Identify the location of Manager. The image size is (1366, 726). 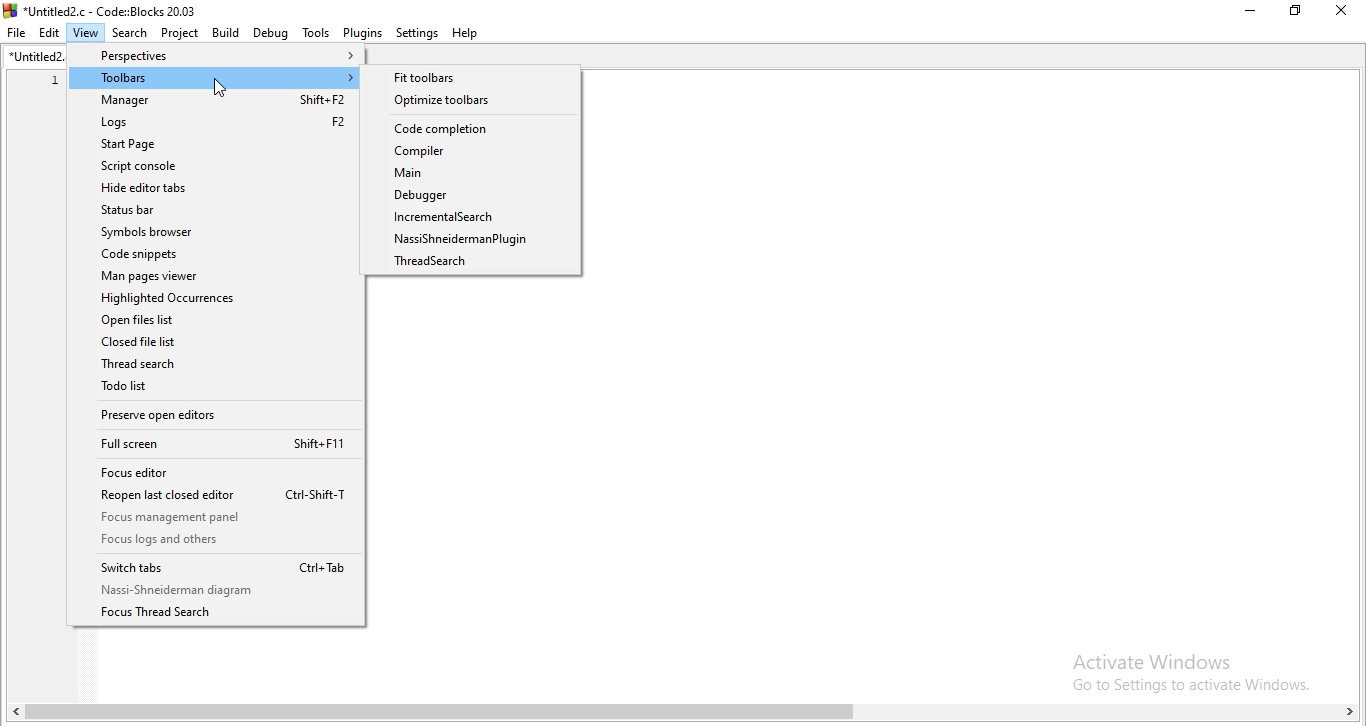
(208, 101).